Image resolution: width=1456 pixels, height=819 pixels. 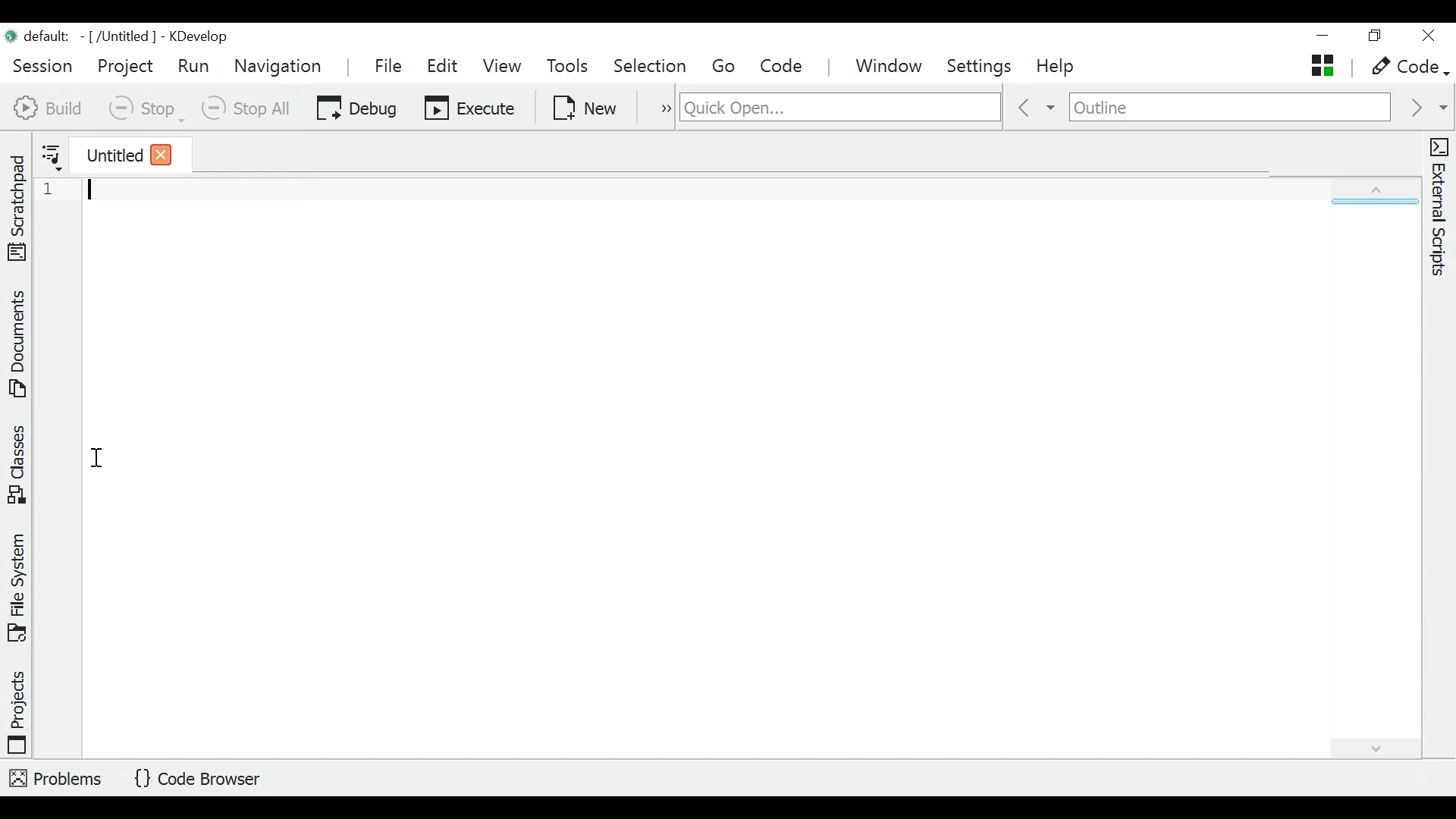 I want to click on View, so click(x=503, y=66).